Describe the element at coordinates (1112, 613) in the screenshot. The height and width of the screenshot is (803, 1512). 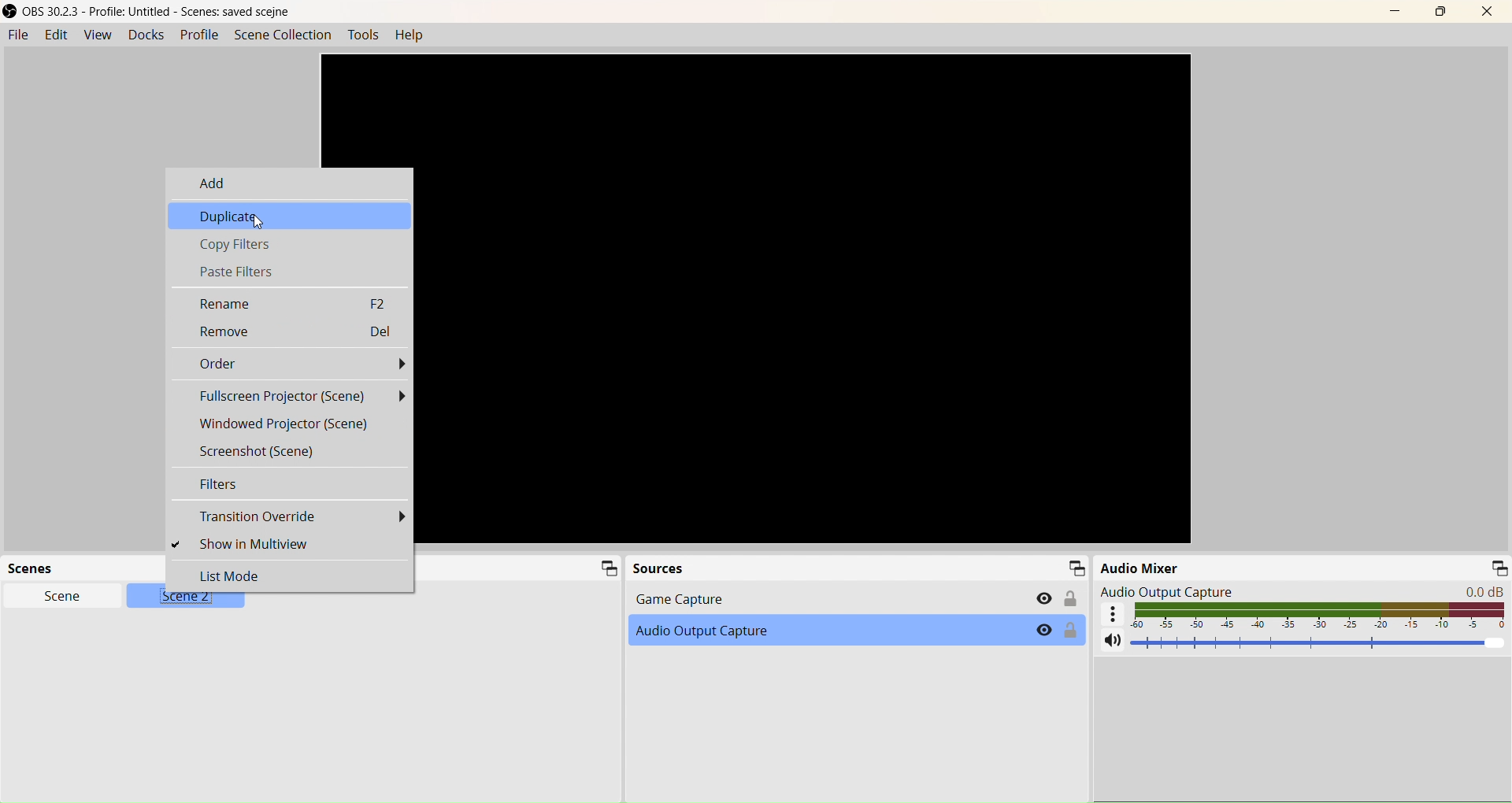
I see `More` at that location.